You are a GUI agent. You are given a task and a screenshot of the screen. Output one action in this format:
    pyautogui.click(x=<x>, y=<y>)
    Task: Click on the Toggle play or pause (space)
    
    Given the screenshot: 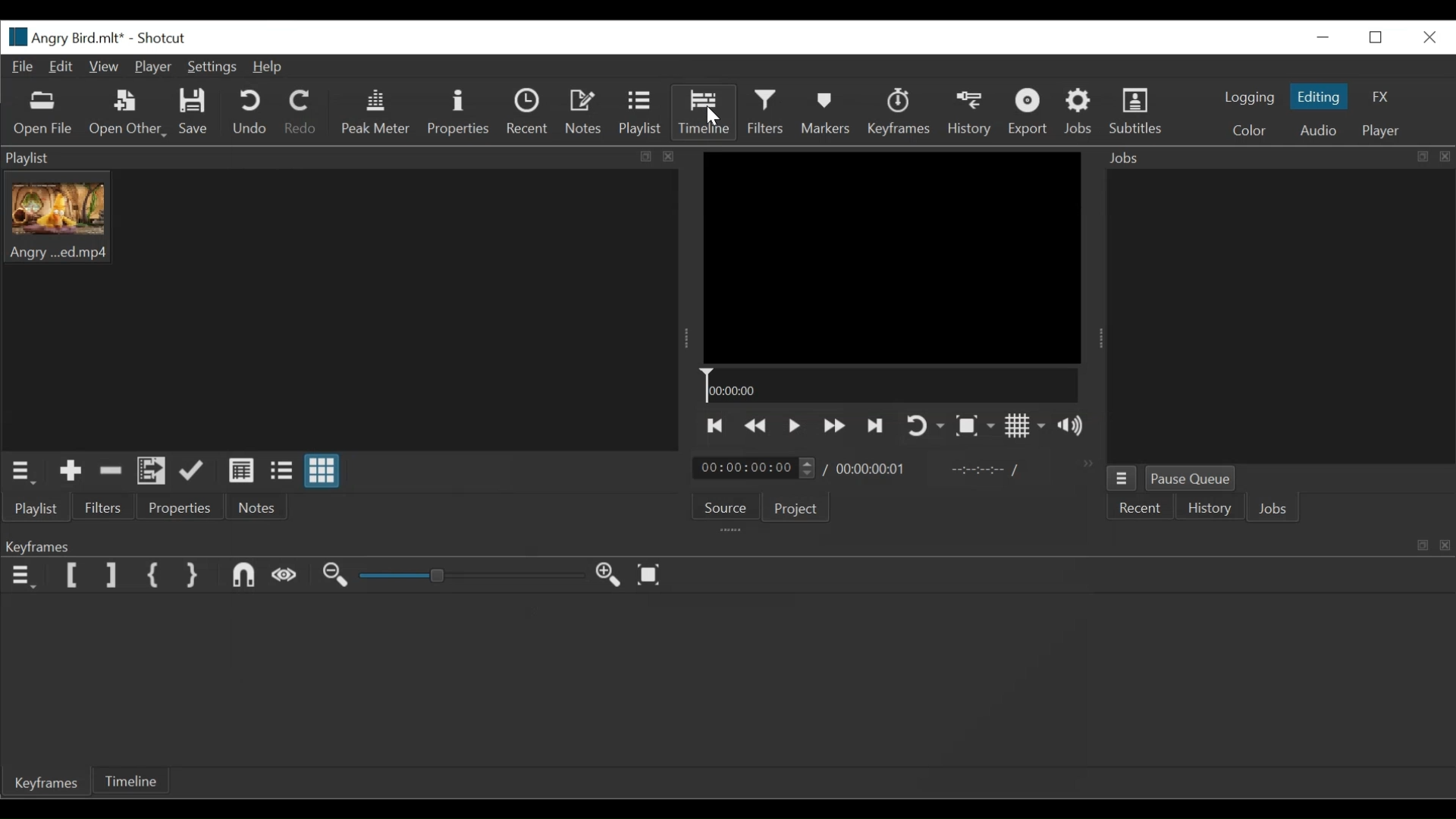 What is the action you would take?
    pyautogui.click(x=794, y=426)
    